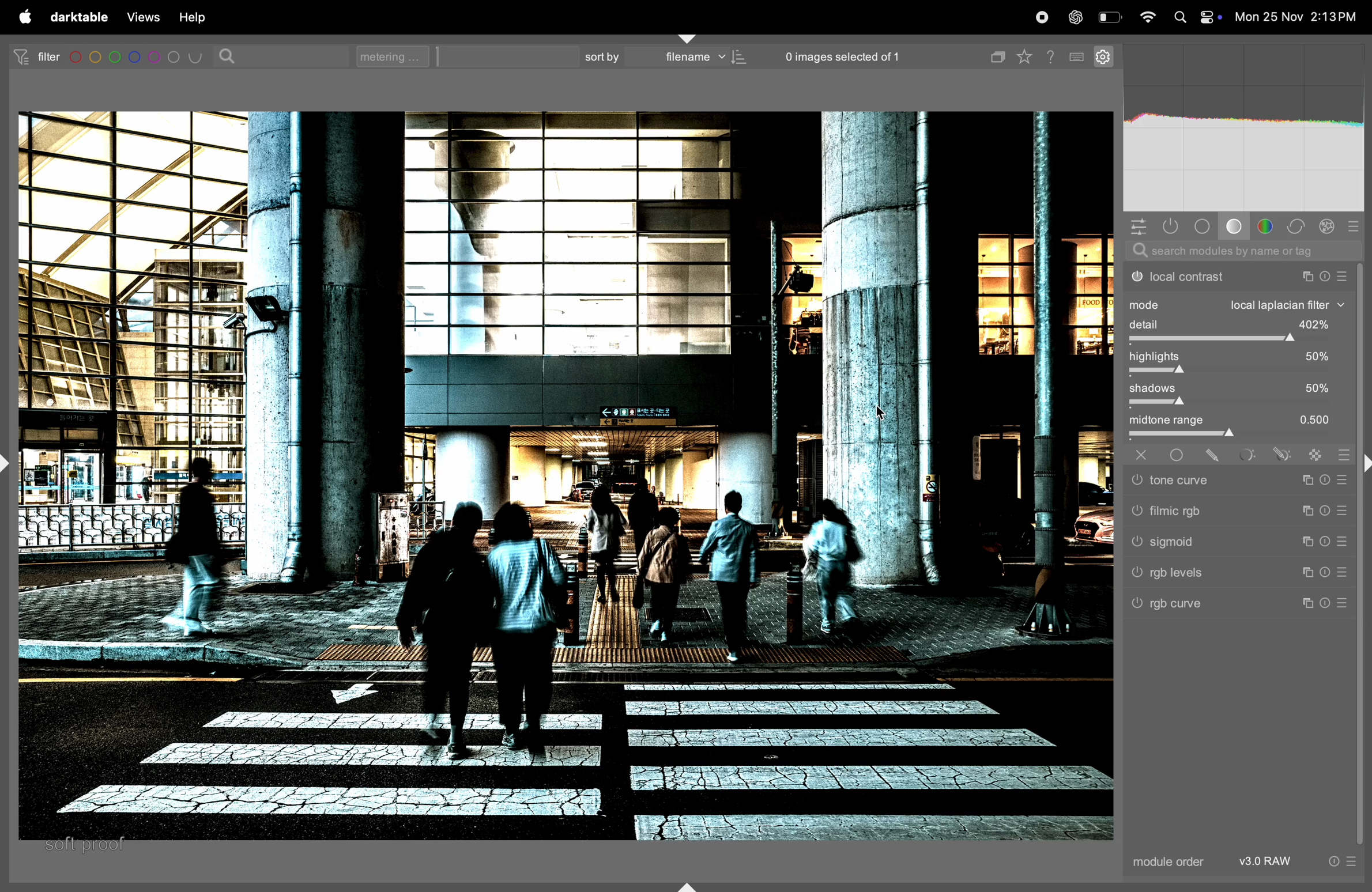 This screenshot has height=892, width=1372. Describe the element at coordinates (1363, 466) in the screenshot. I see `shift+ctrl+r` at that location.